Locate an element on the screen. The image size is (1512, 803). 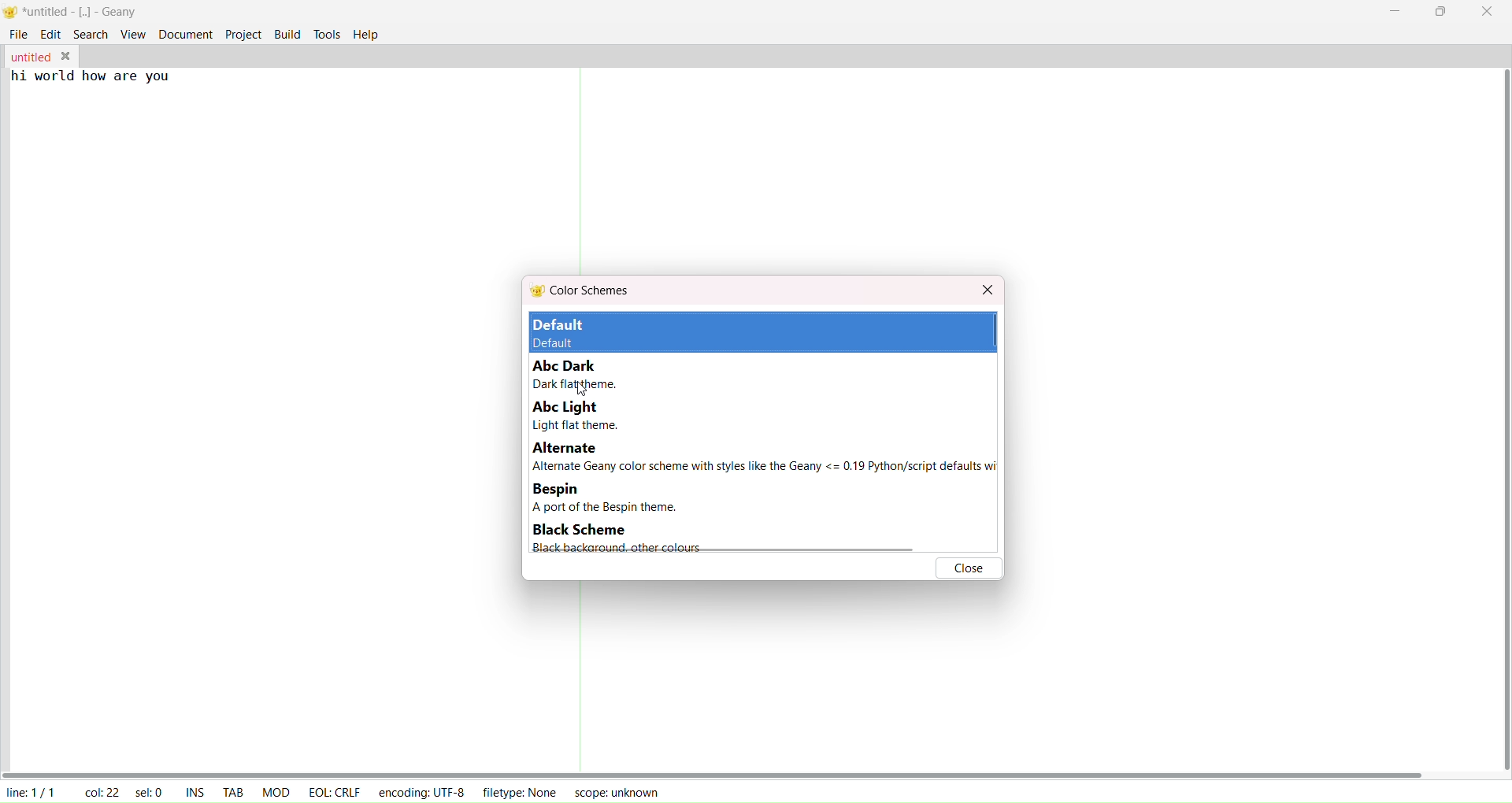
alternate is located at coordinates (568, 449).